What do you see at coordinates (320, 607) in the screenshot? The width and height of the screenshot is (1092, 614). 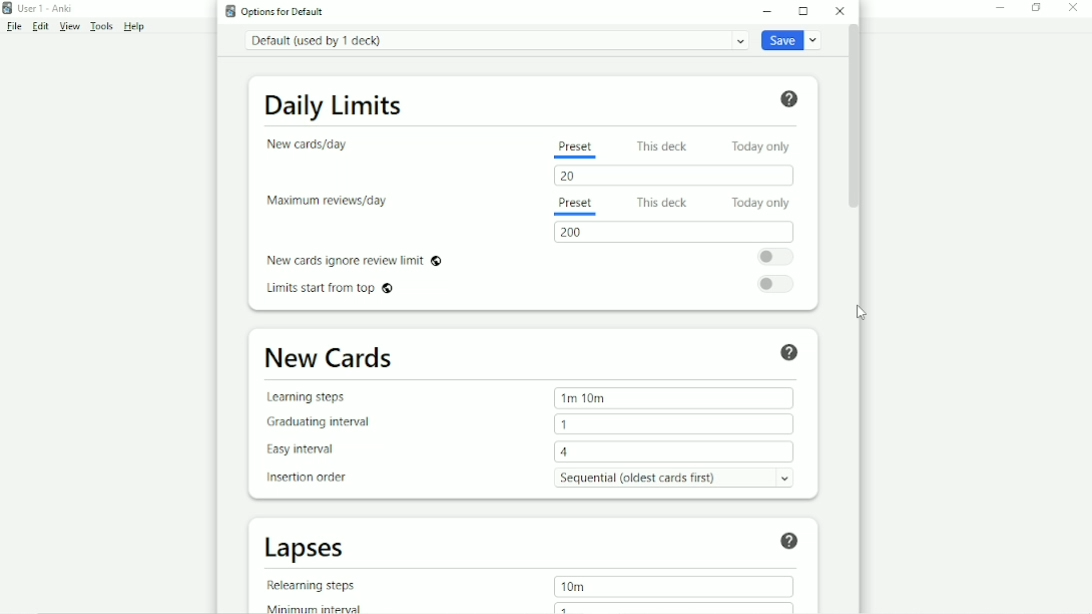 I see `minimum interval` at bounding box center [320, 607].